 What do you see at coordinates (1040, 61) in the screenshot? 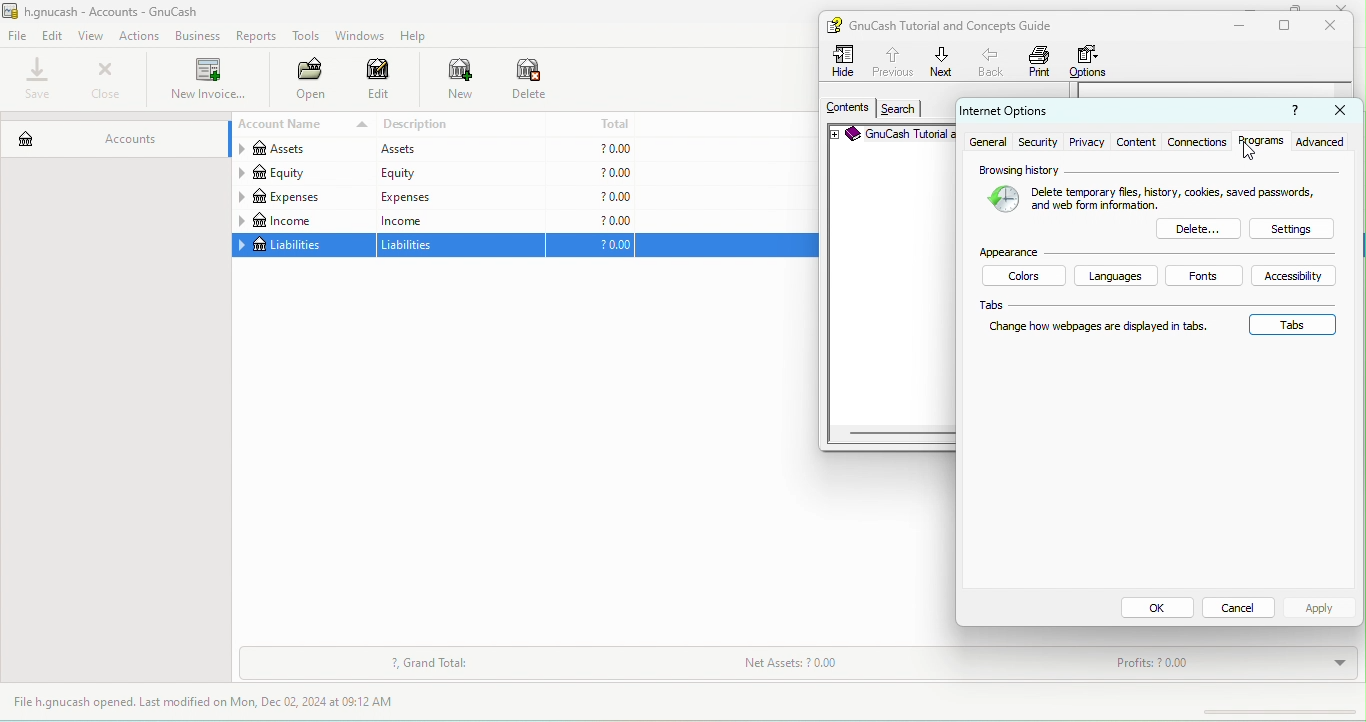
I see `print` at bounding box center [1040, 61].